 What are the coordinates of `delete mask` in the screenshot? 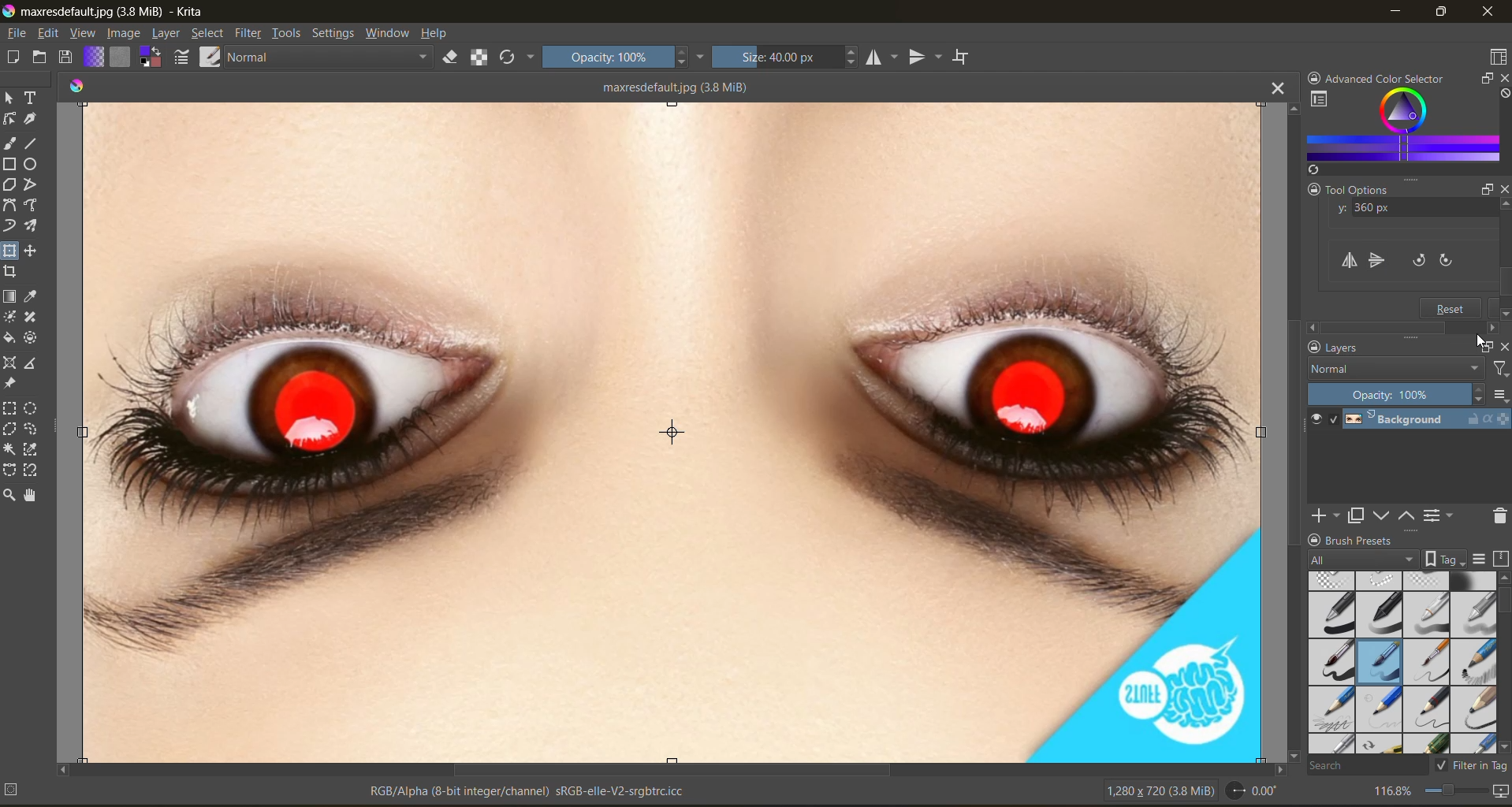 It's located at (1501, 516).